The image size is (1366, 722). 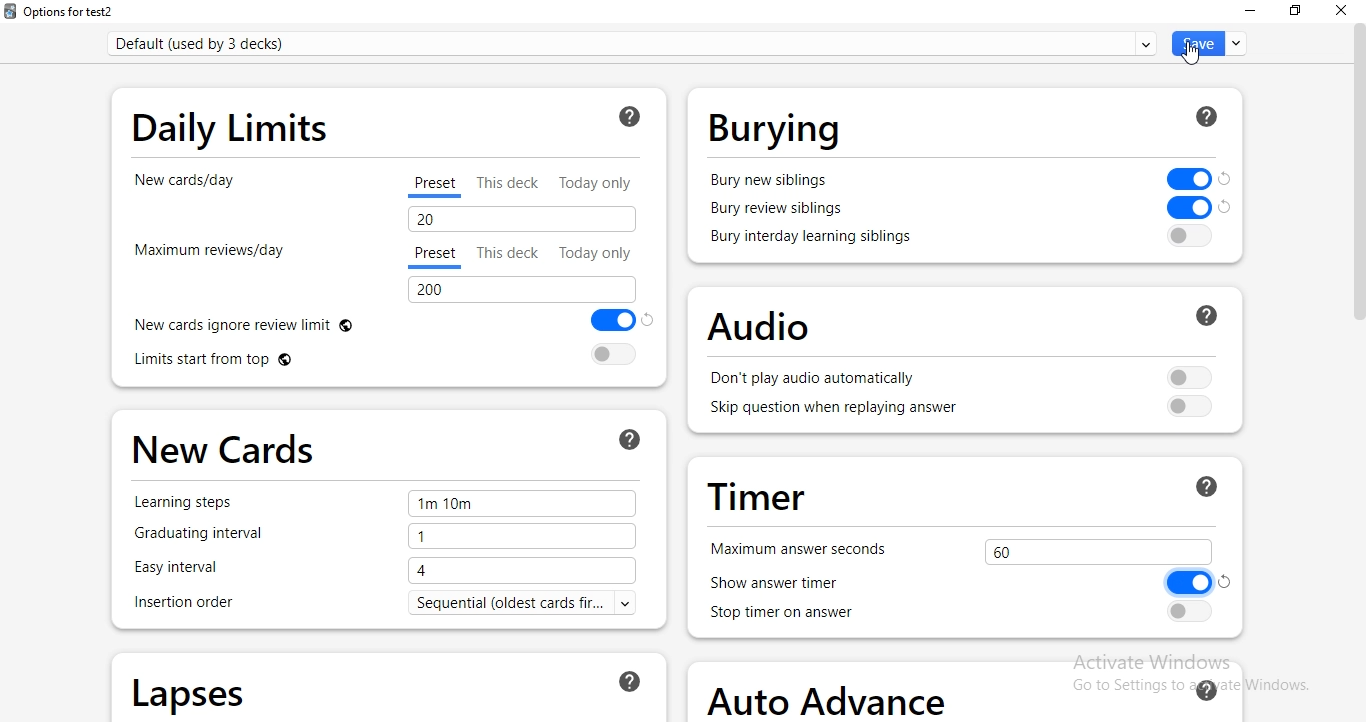 What do you see at coordinates (198, 536) in the screenshot?
I see `graduating interval` at bounding box center [198, 536].